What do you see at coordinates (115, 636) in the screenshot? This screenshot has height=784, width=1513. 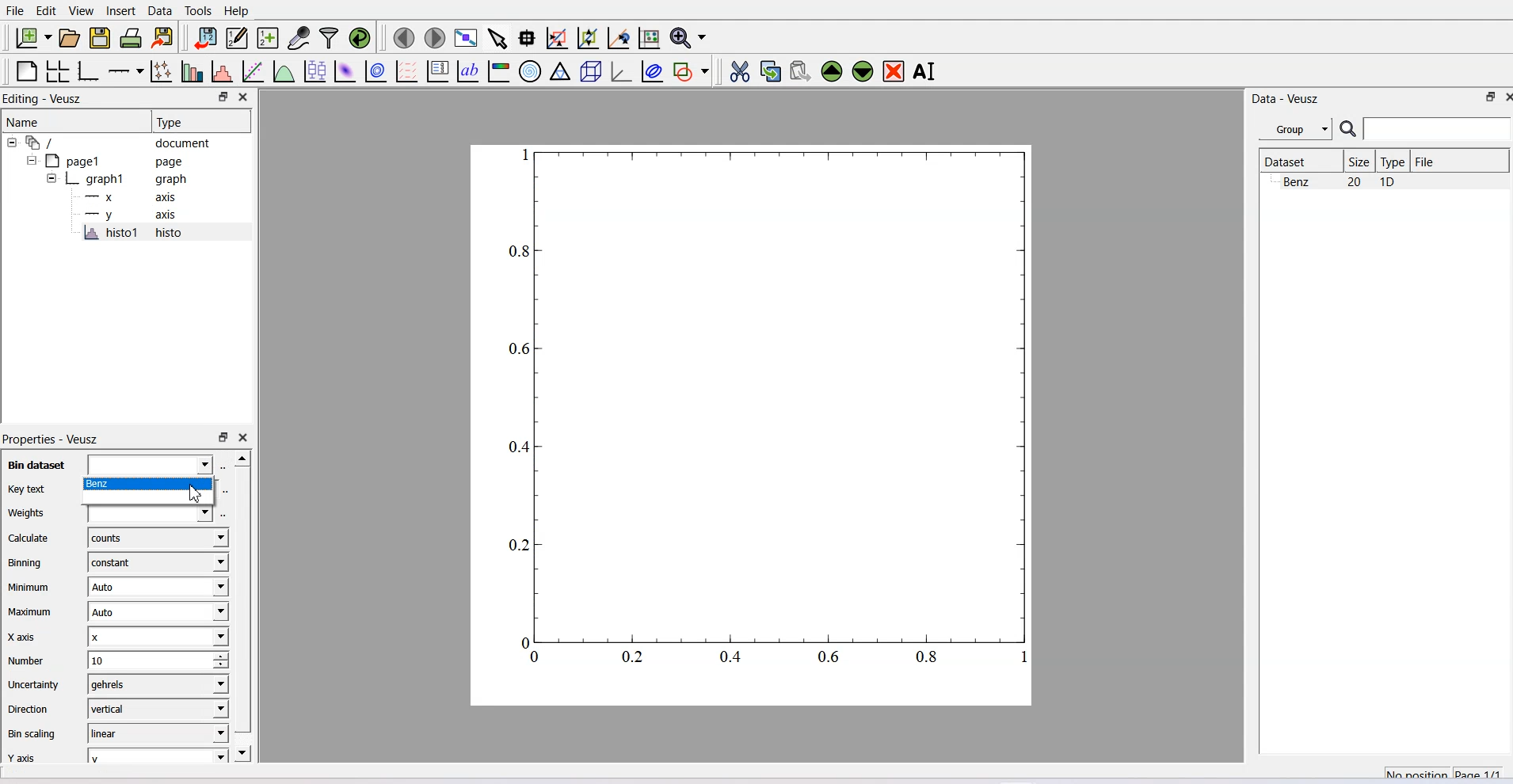 I see `X axis - X` at bounding box center [115, 636].